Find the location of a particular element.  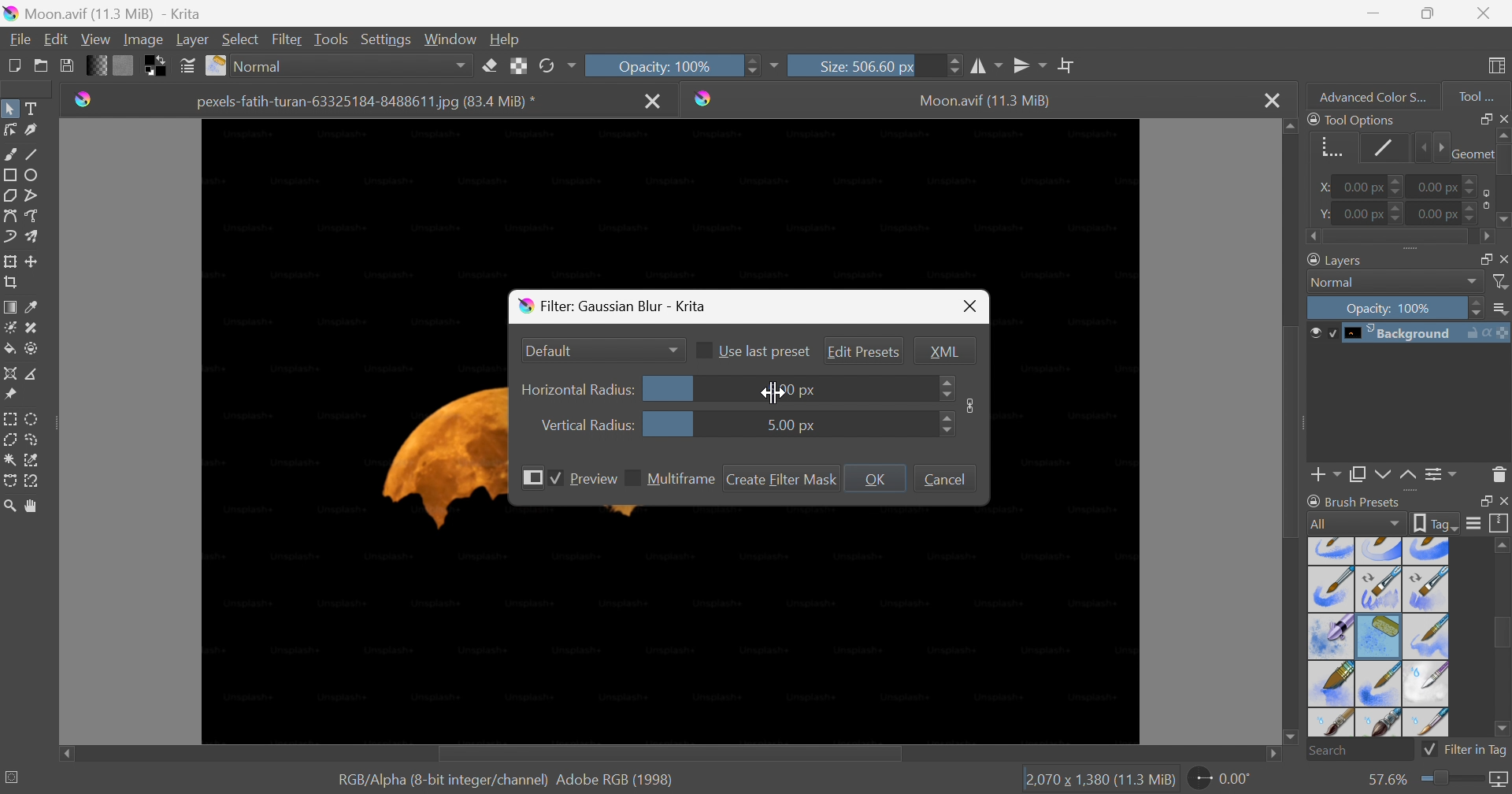

Scroll right is located at coordinates (1276, 755).